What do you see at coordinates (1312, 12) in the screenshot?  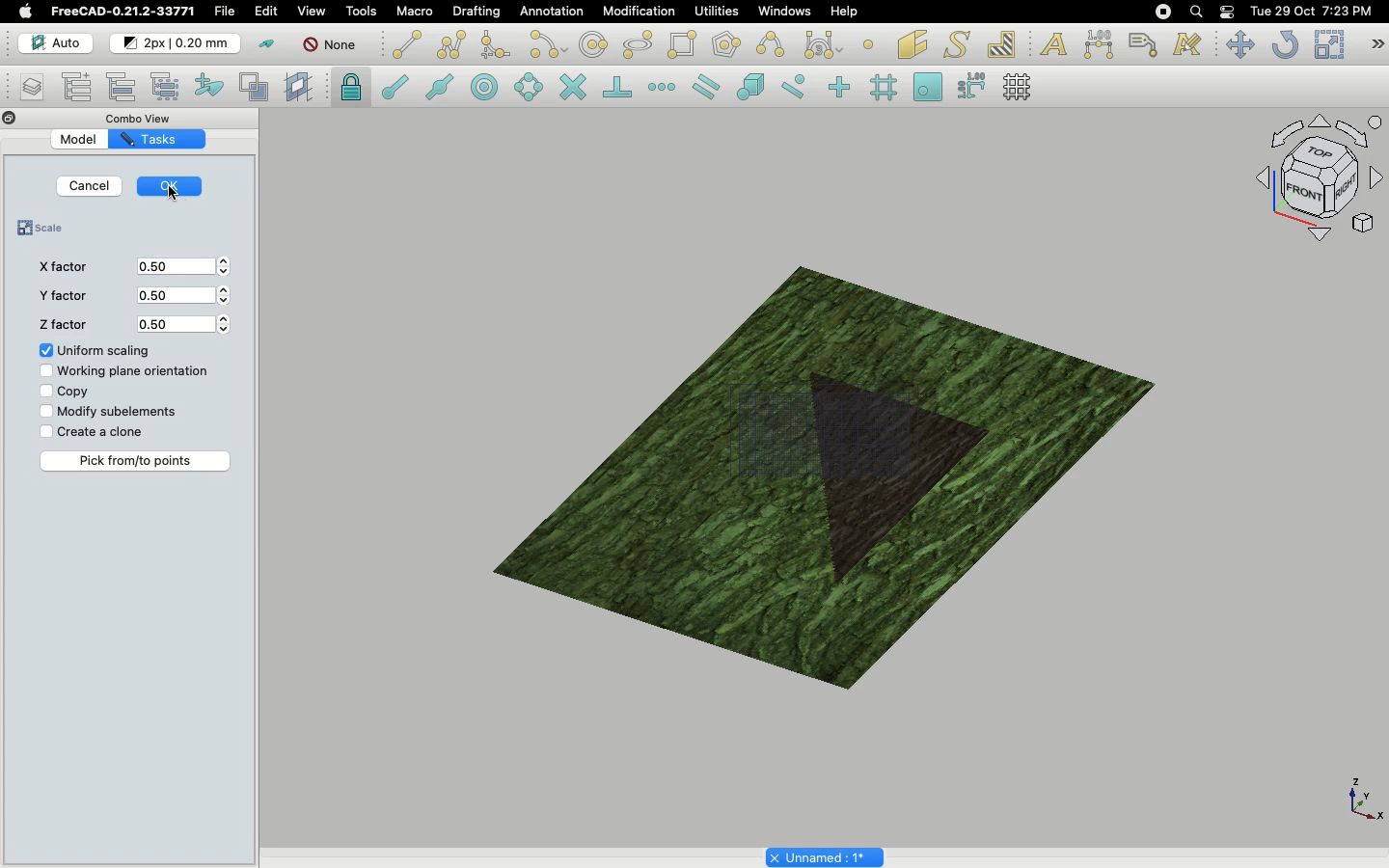 I see `Date/time` at bounding box center [1312, 12].